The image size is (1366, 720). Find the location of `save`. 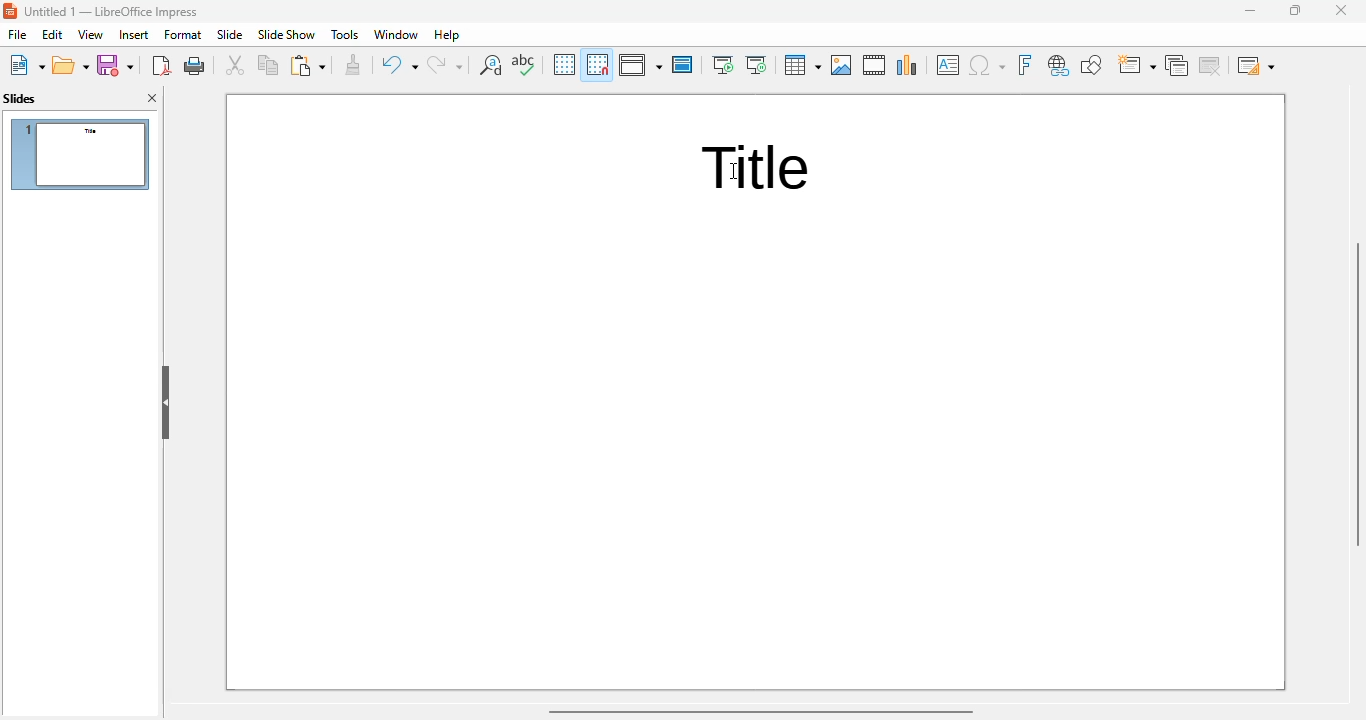

save is located at coordinates (115, 65).